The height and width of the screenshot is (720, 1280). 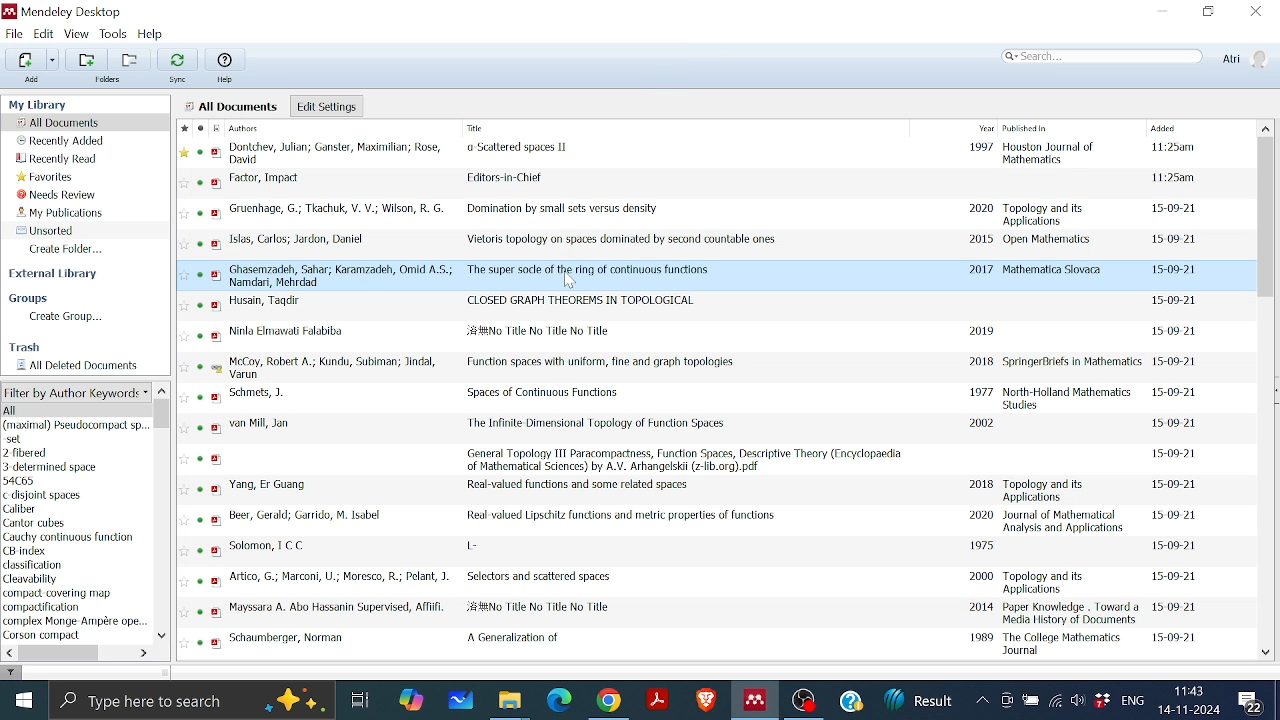 What do you see at coordinates (1257, 701) in the screenshot?
I see `Notifications` at bounding box center [1257, 701].